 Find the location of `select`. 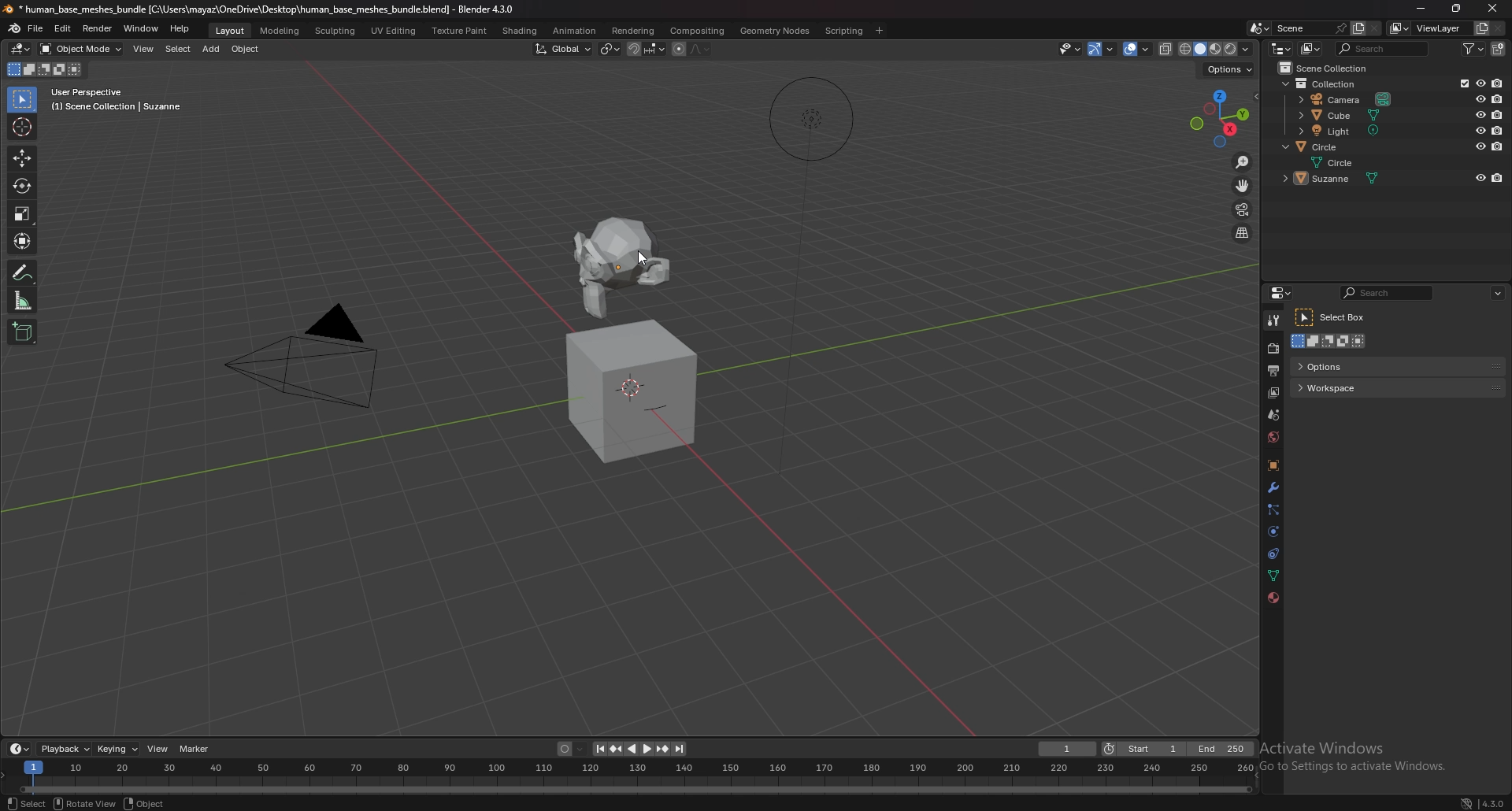

select is located at coordinates (24, 802).